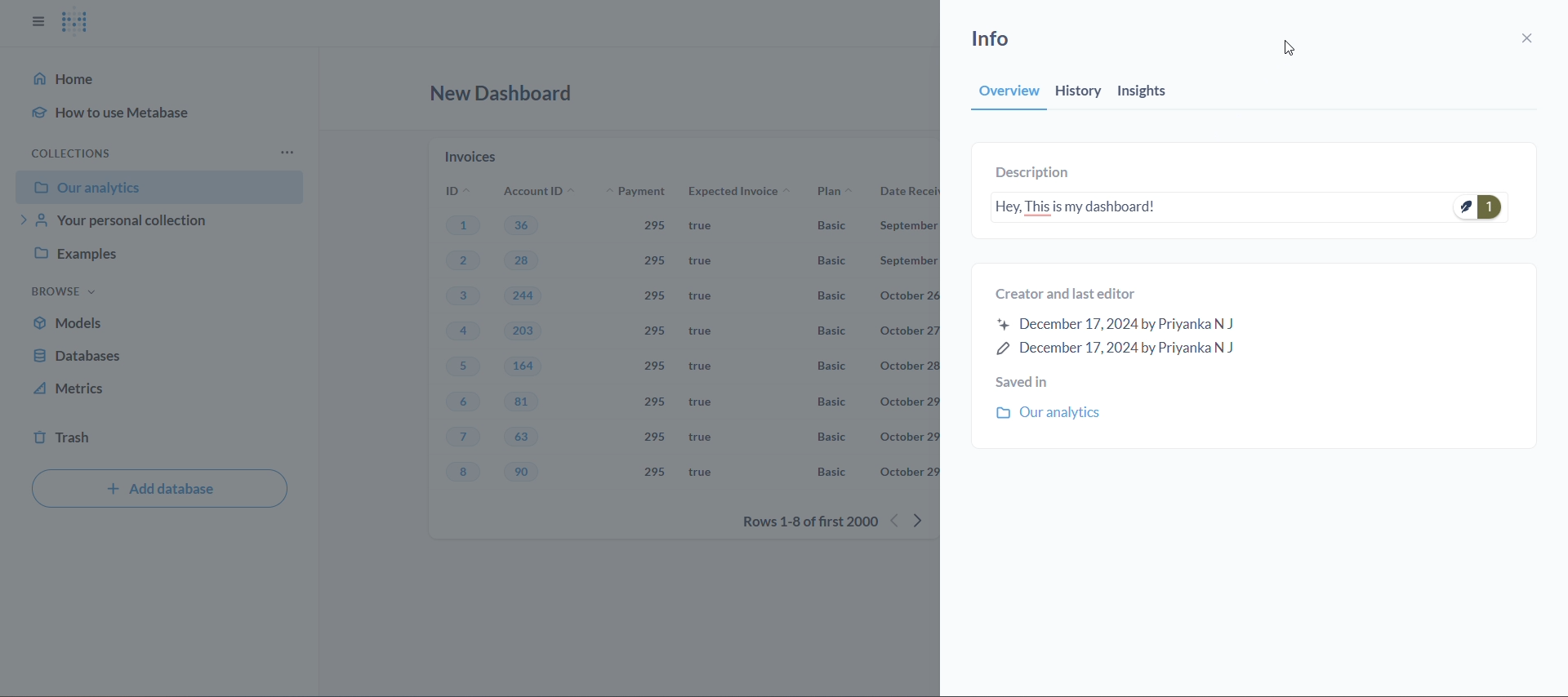  I want to click on Basic, so click(832, 438).